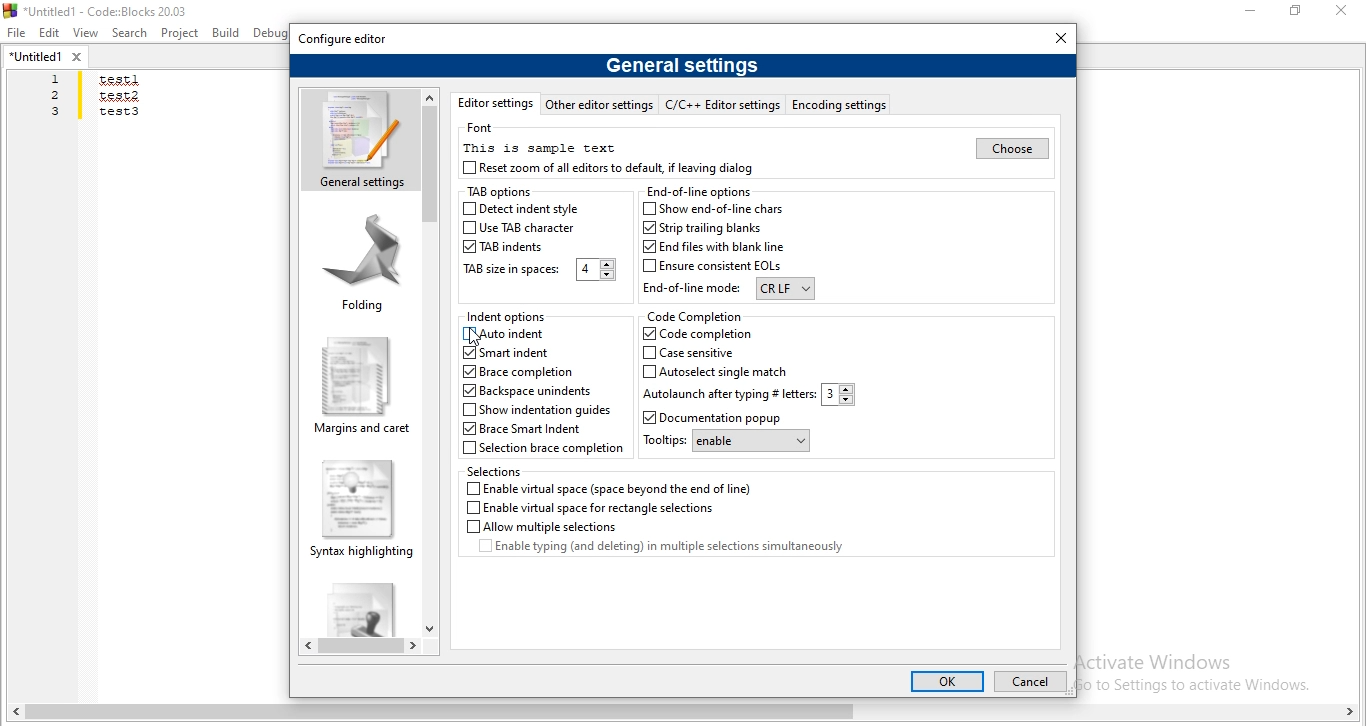 The image size is (1366, 726). What do you see at coordinates (508, 317) in the screenshot?
I see `Indent options` at bounding box center [508, 317].